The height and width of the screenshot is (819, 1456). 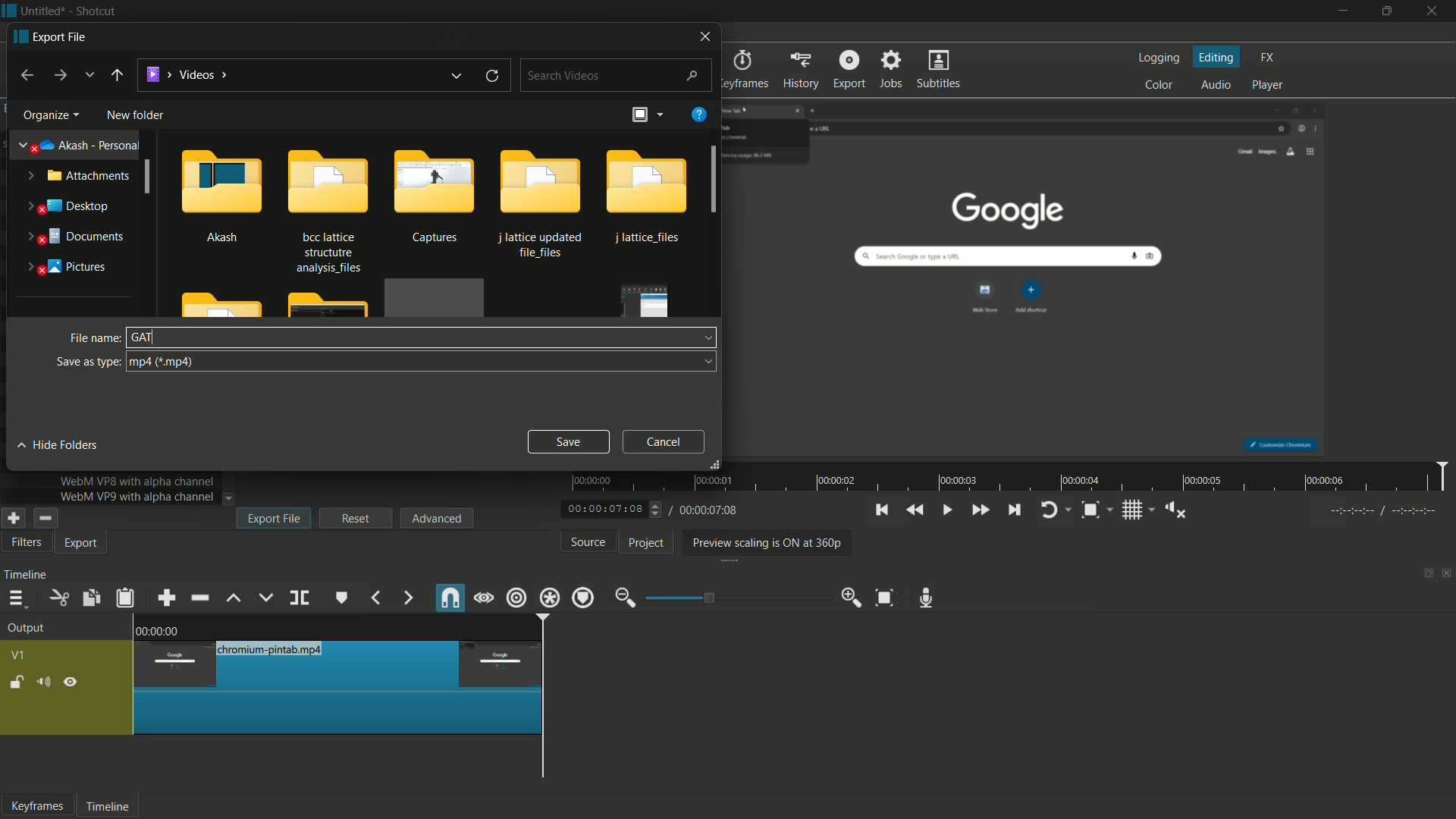 I want to click on record audio, so click(x=927, y=599).